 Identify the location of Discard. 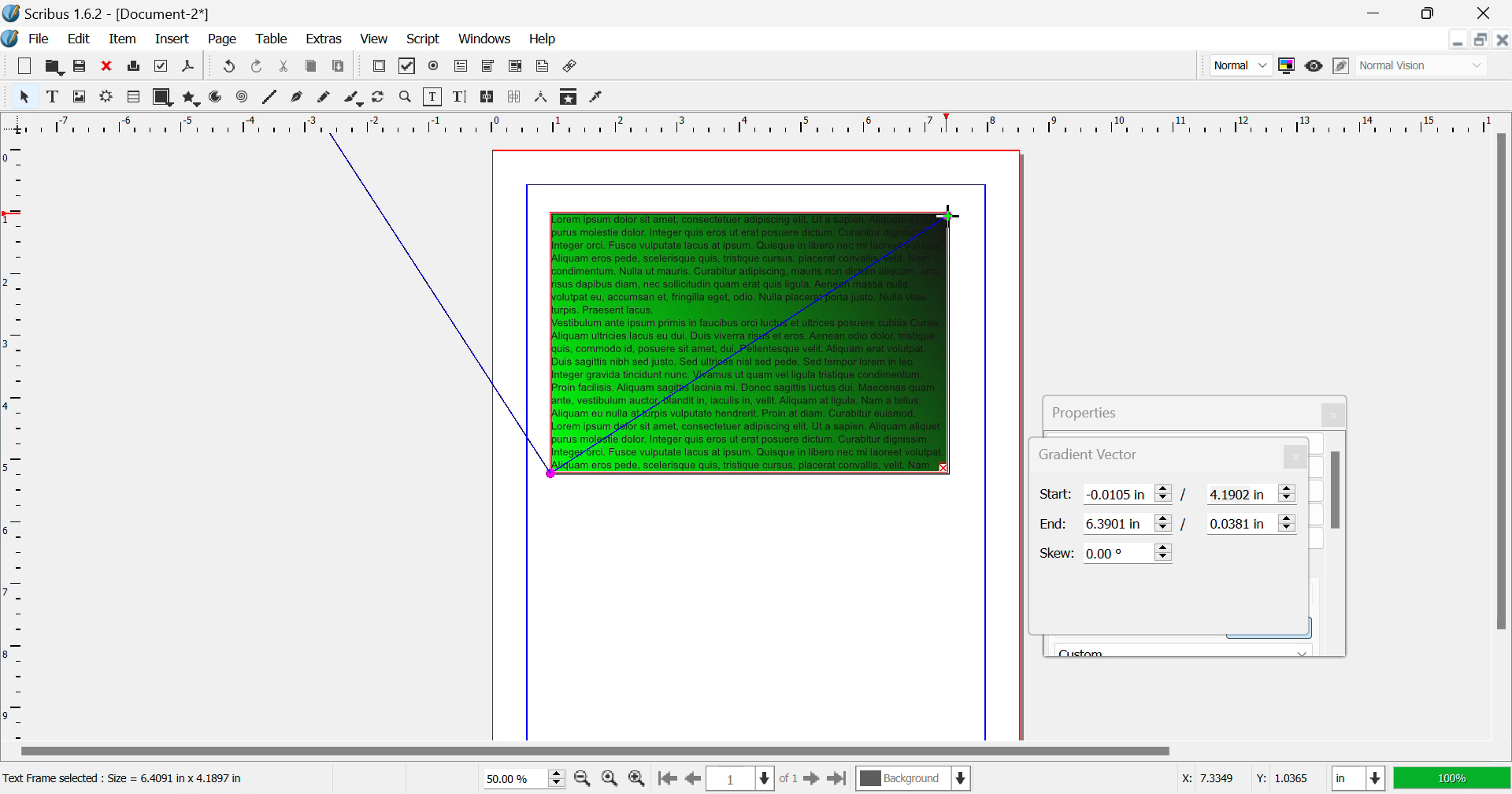
(107, 66).